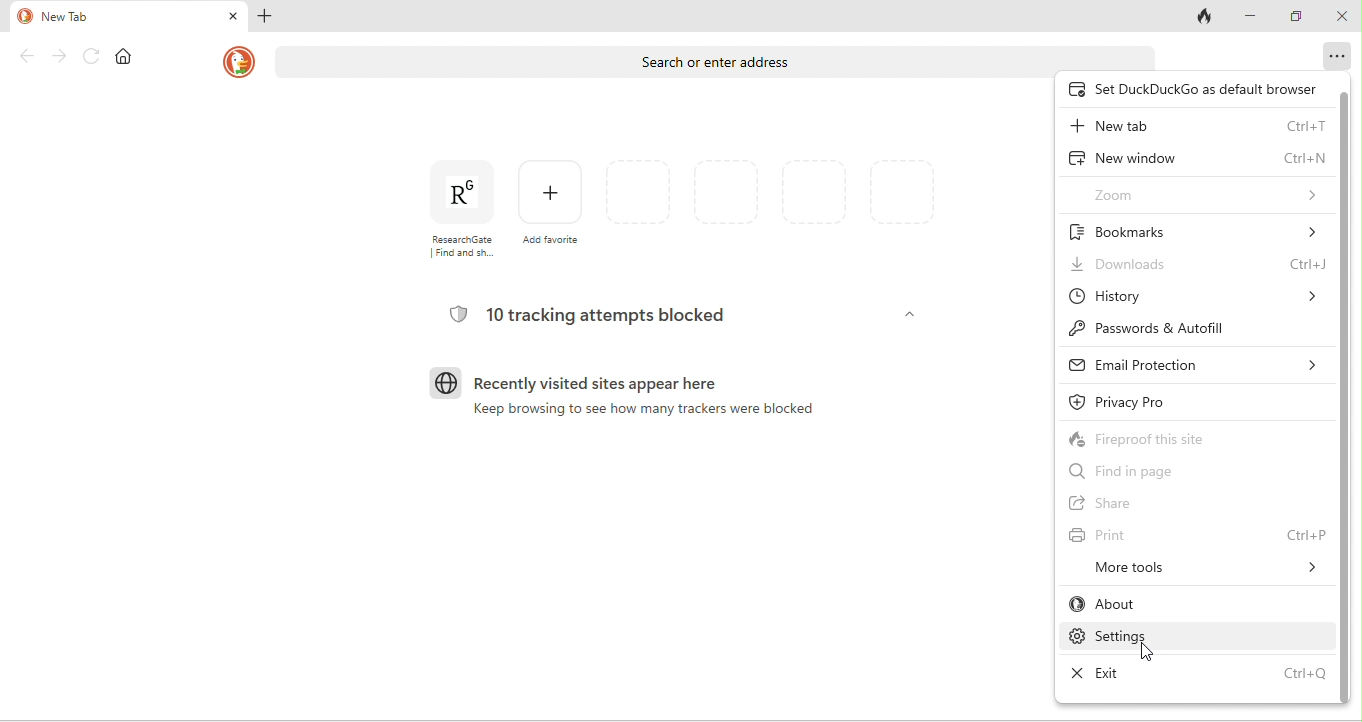 The height and width of the screenshot is (722, 1362). What do you see at coordinates (458, 314) in the screenshot?
I see `tracking logo` at bounding box center [458, 314].